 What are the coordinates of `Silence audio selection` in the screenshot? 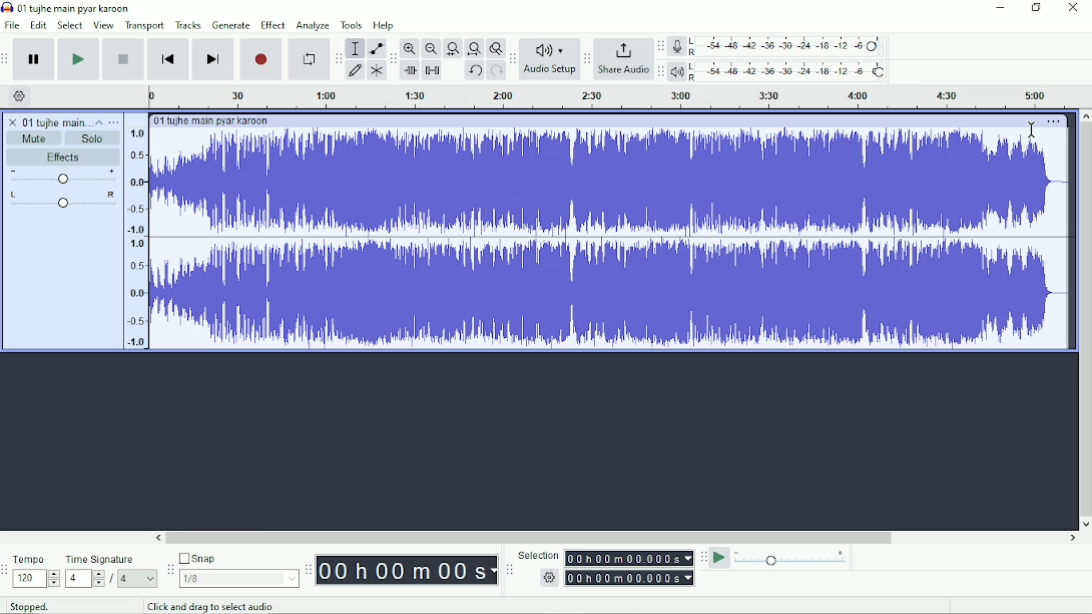 It's located at (433, 70).